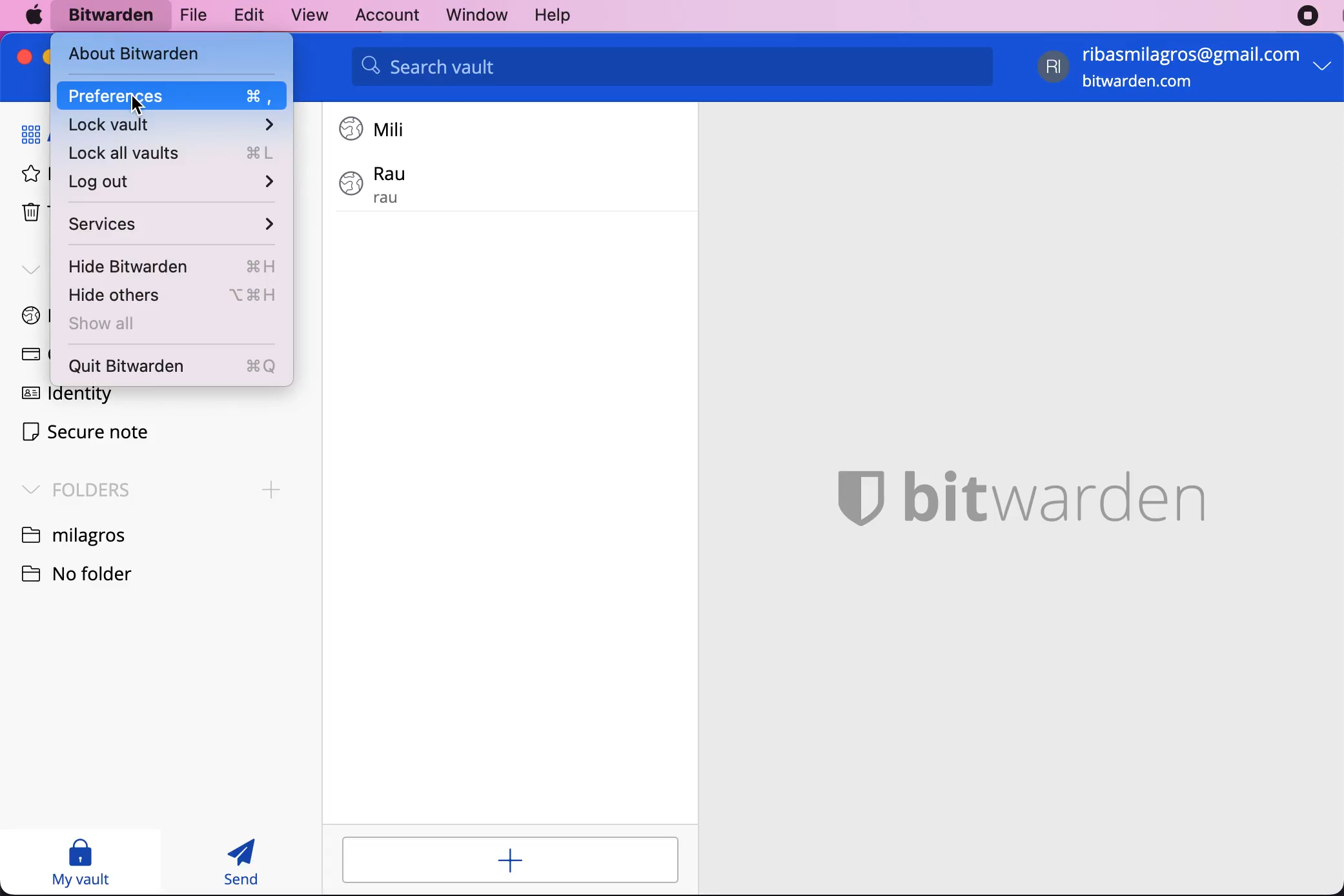  What do you see at coordinates (175, 225) in the screenshot?
I see `services` at bounding box center [175, 225].